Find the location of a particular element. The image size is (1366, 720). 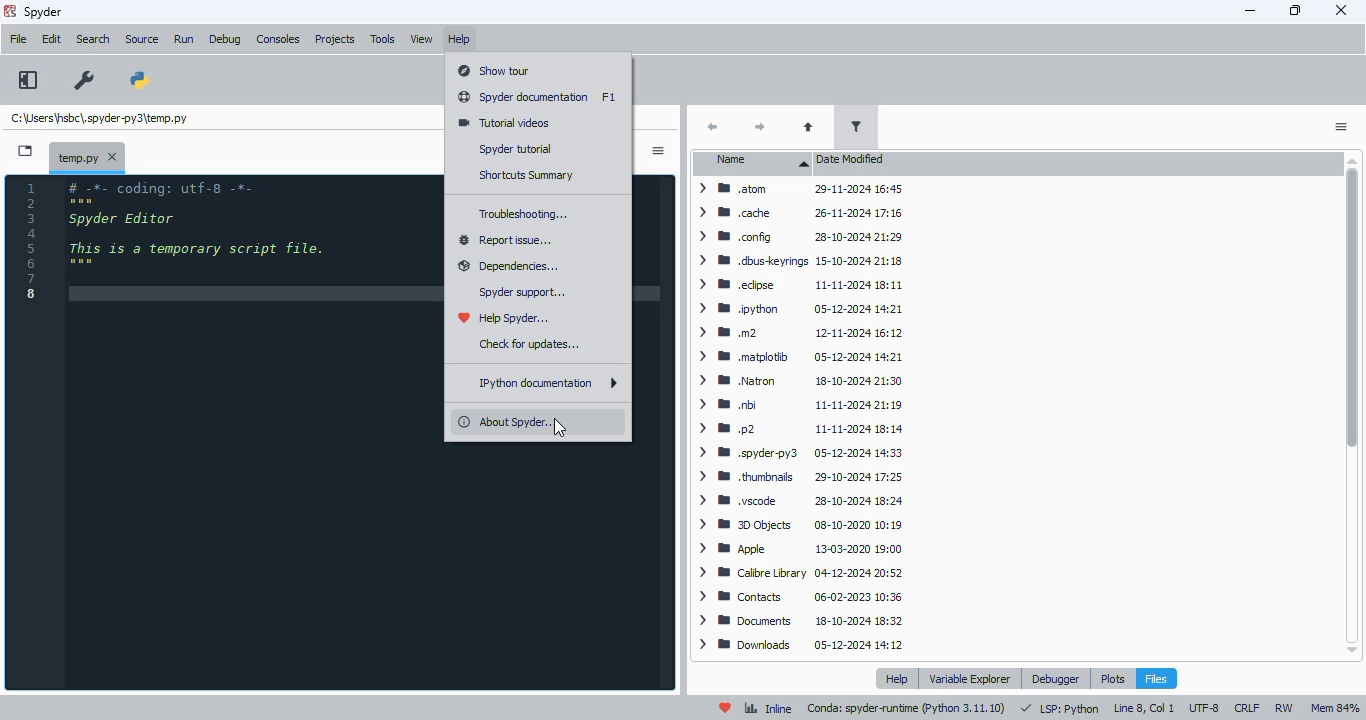

close is located at coordinates (1342, 11).